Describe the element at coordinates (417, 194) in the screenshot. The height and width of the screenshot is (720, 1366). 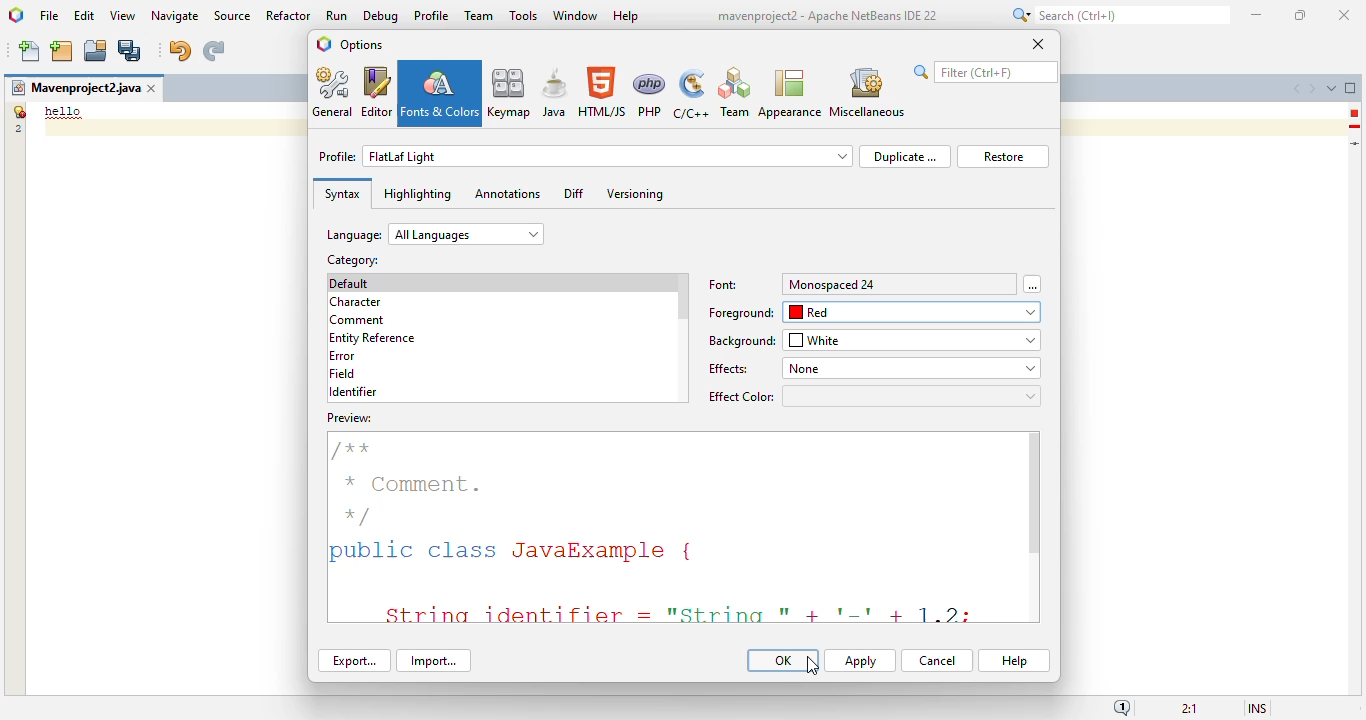
I see `highlighting` at that location.